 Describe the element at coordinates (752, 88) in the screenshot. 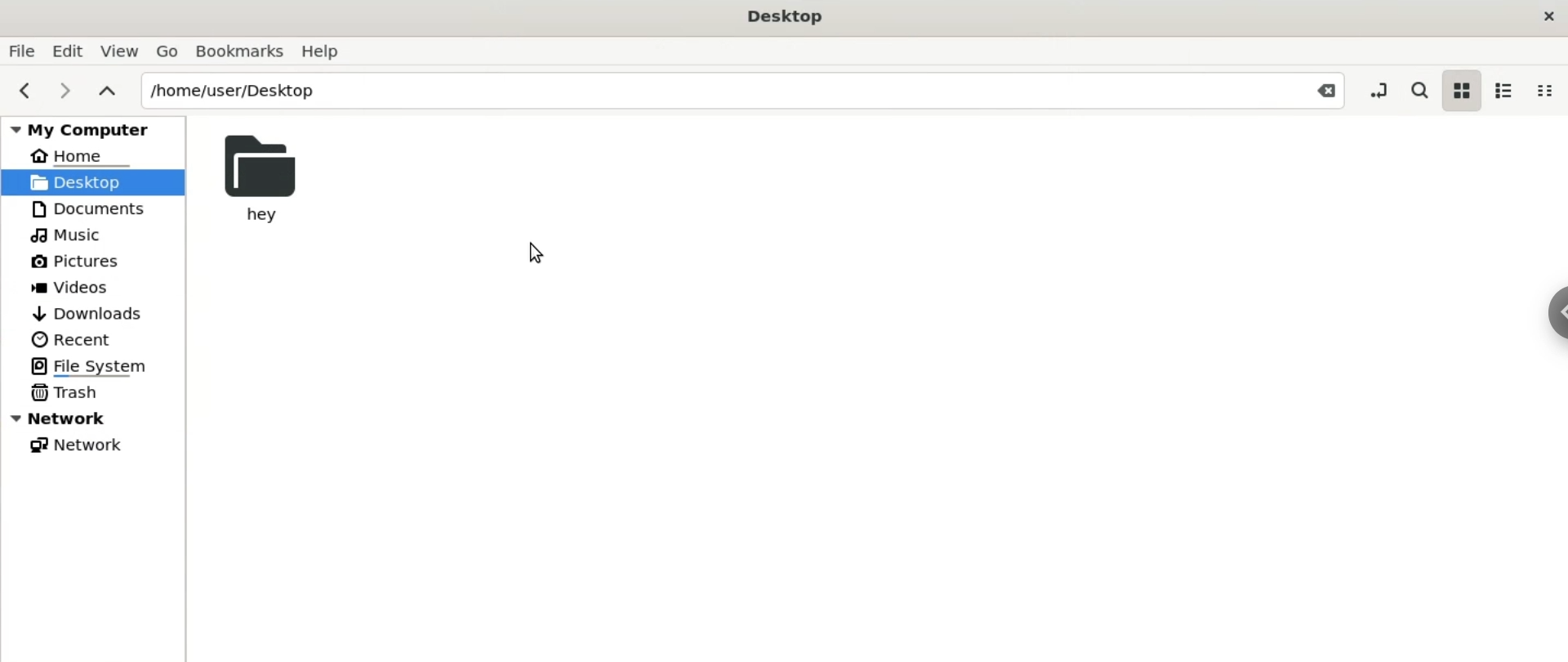

I see `/home/user/Desktop` at that location.